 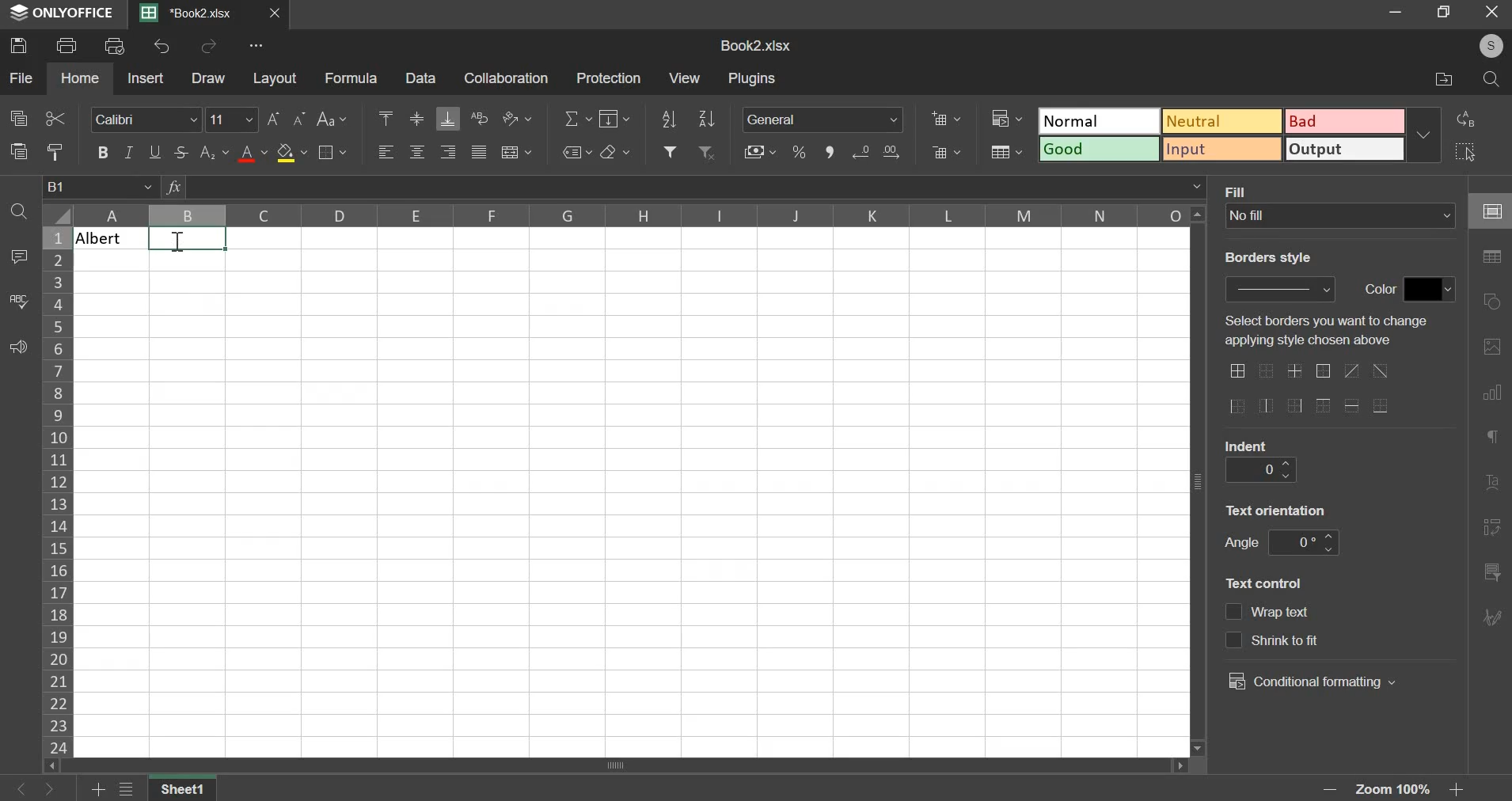 I want to click on file, so click(x=21, y=77).